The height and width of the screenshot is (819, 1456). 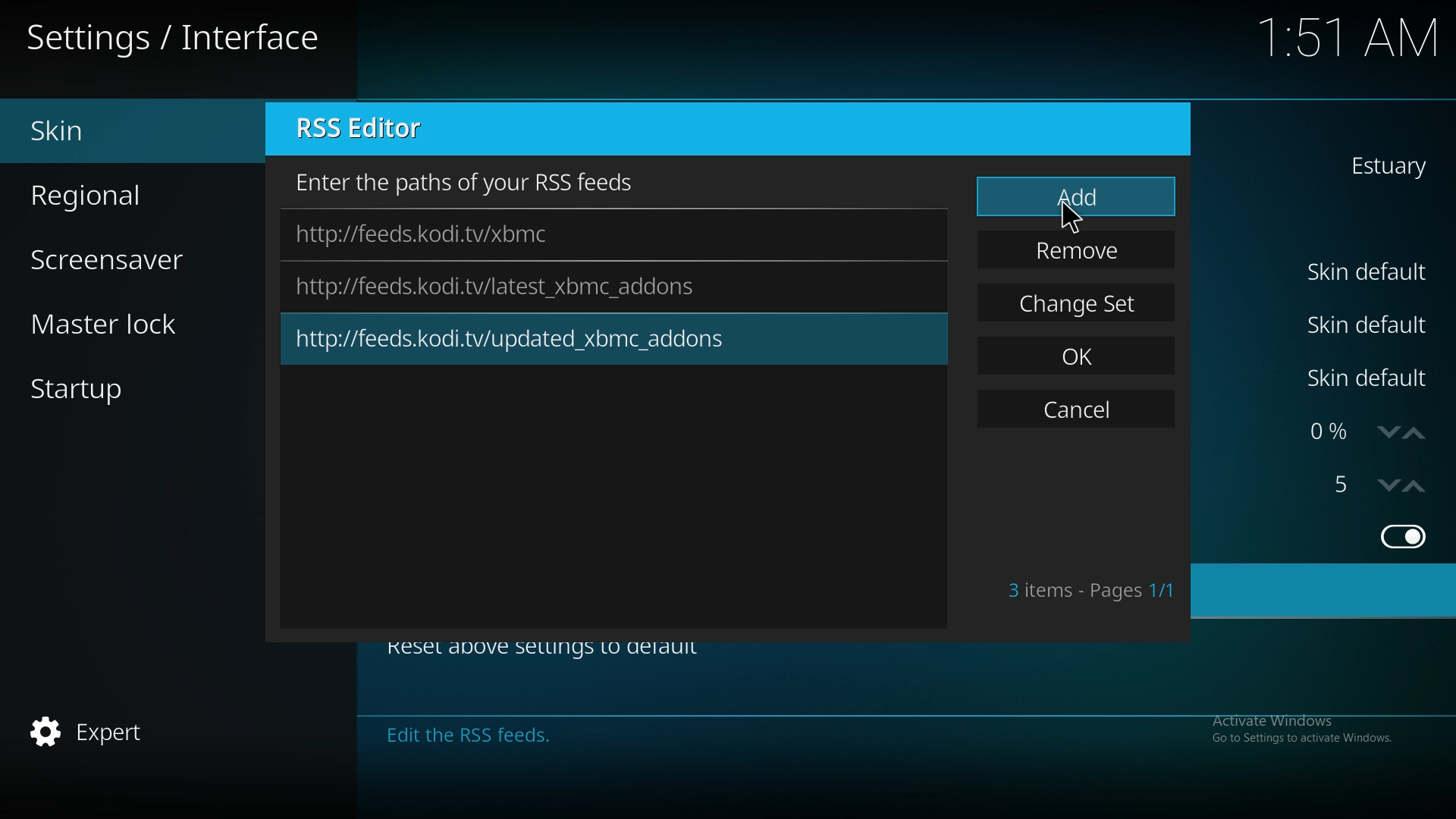 I want to click on skin default, so click(x=1371, y=271).